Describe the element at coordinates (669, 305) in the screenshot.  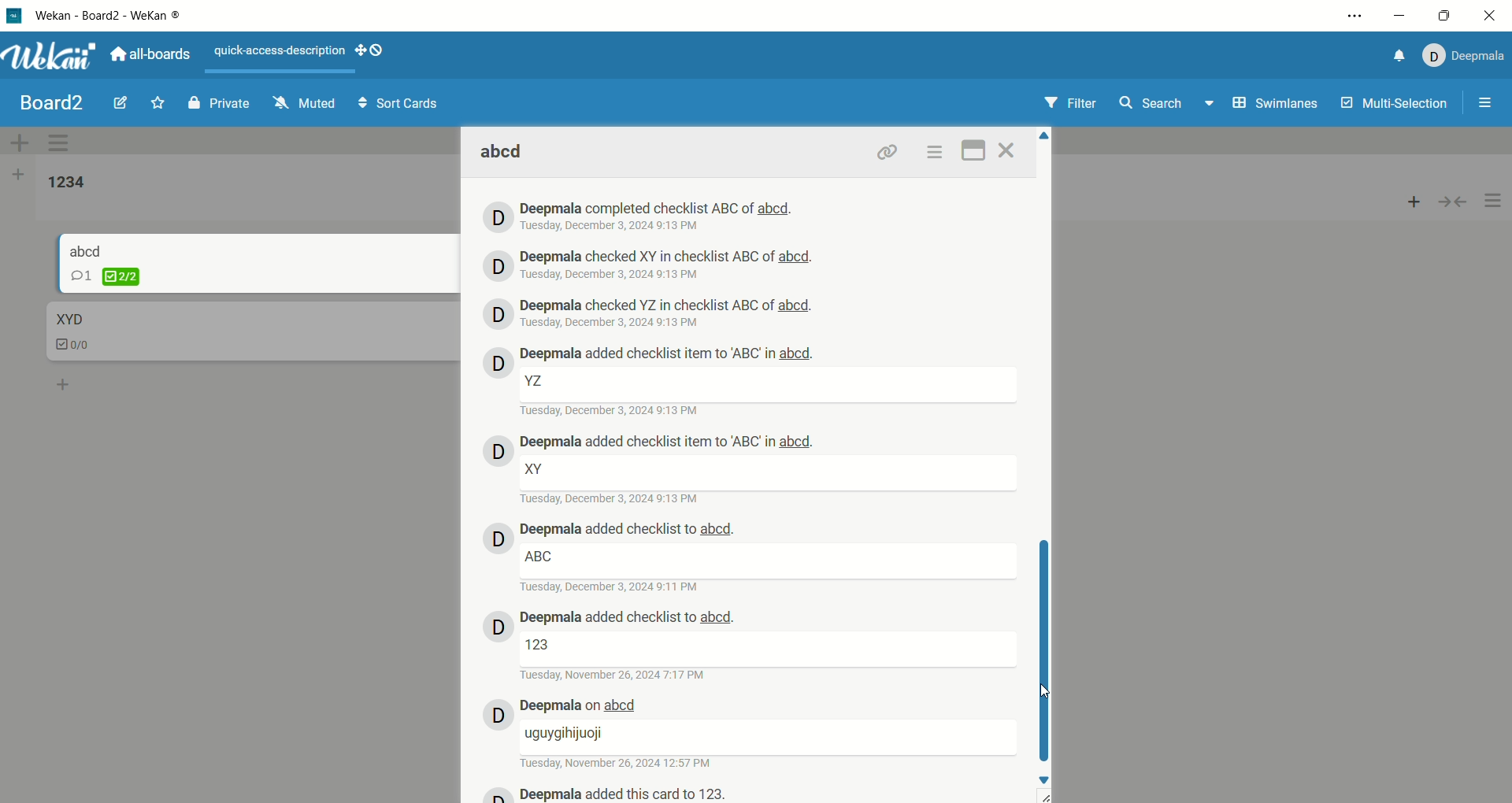
I see `deepmala history` at that location.